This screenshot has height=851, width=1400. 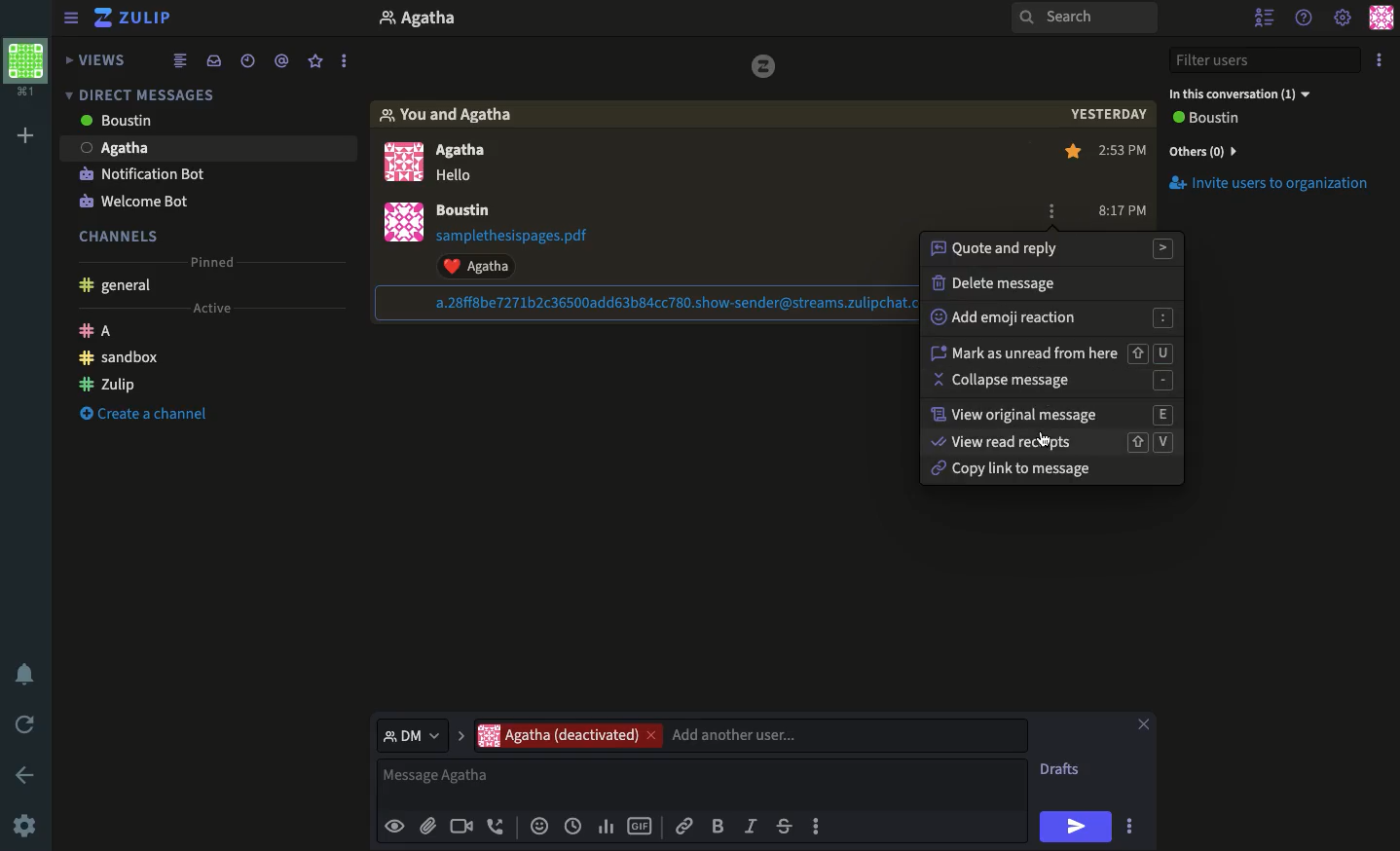 I want to click on options, so click(x=1132, y=829).